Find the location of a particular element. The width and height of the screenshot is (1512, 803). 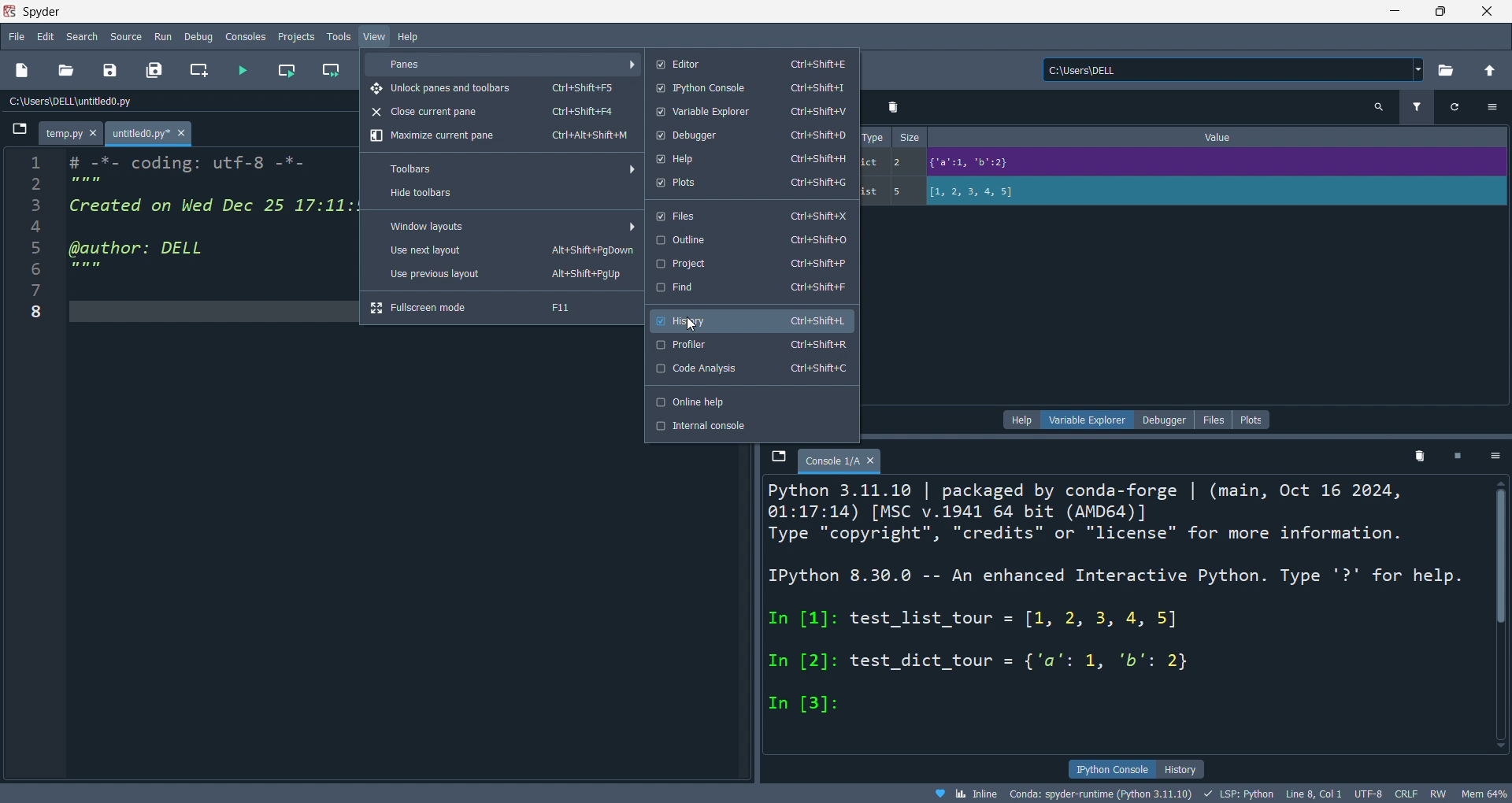

rw is located at coordinates (1436, 795).